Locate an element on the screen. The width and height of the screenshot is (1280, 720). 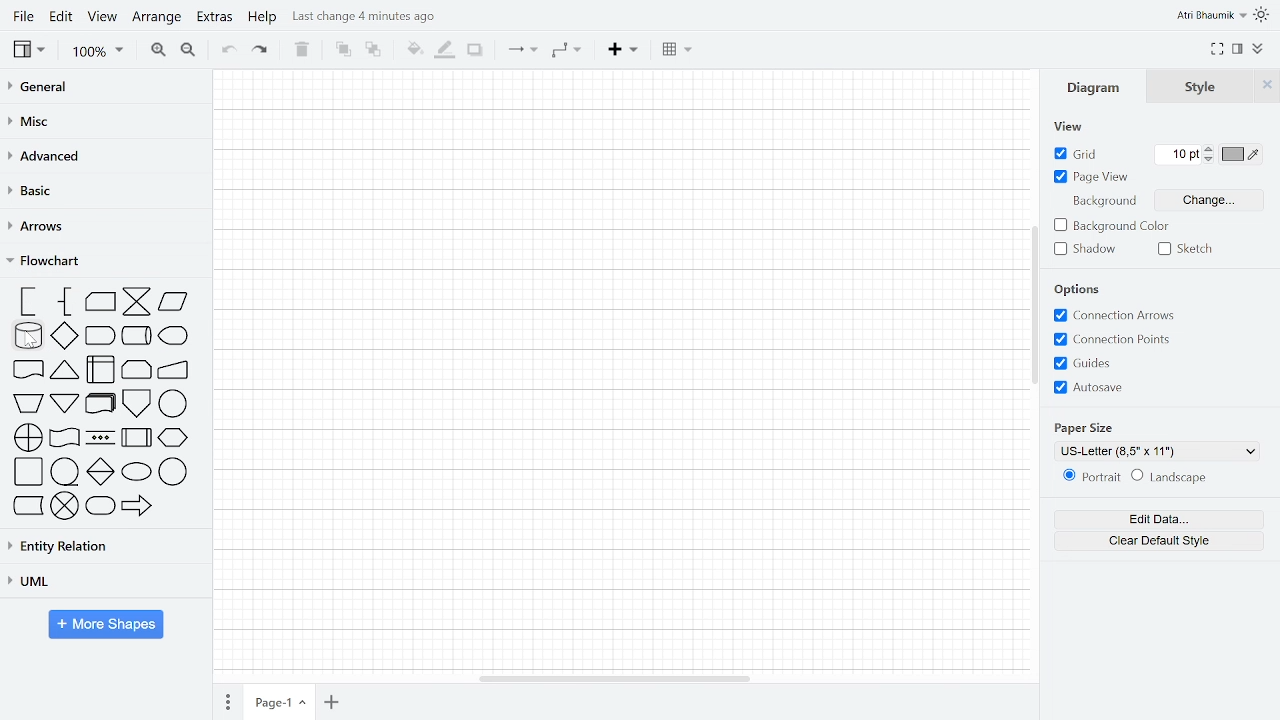
background is located at coordinates (1103, 203).